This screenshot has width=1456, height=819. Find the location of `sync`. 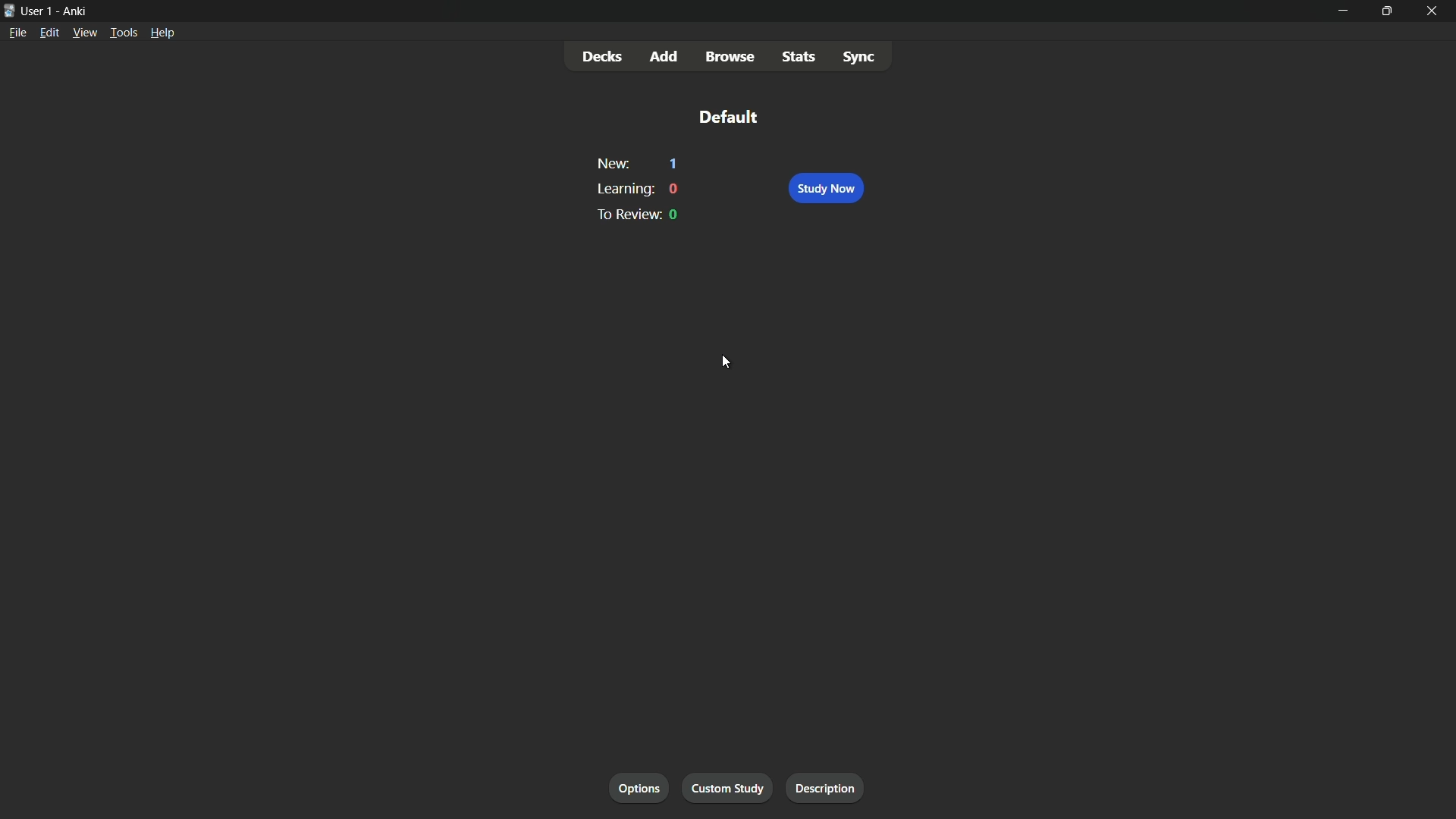

sync is located at coordinates (861, 58).